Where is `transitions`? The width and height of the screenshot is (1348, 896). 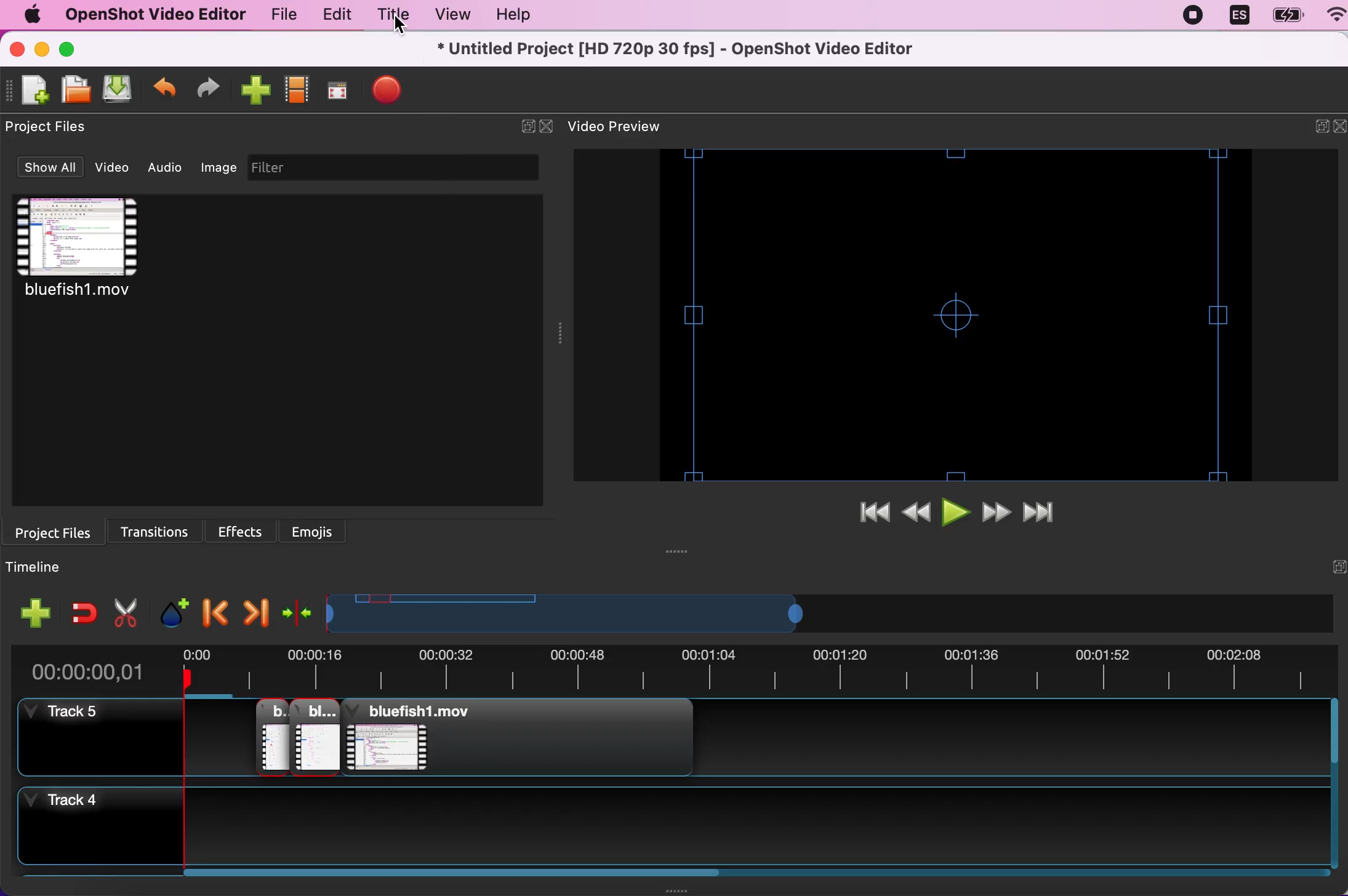
transitions is located at coordinates (161, 529).